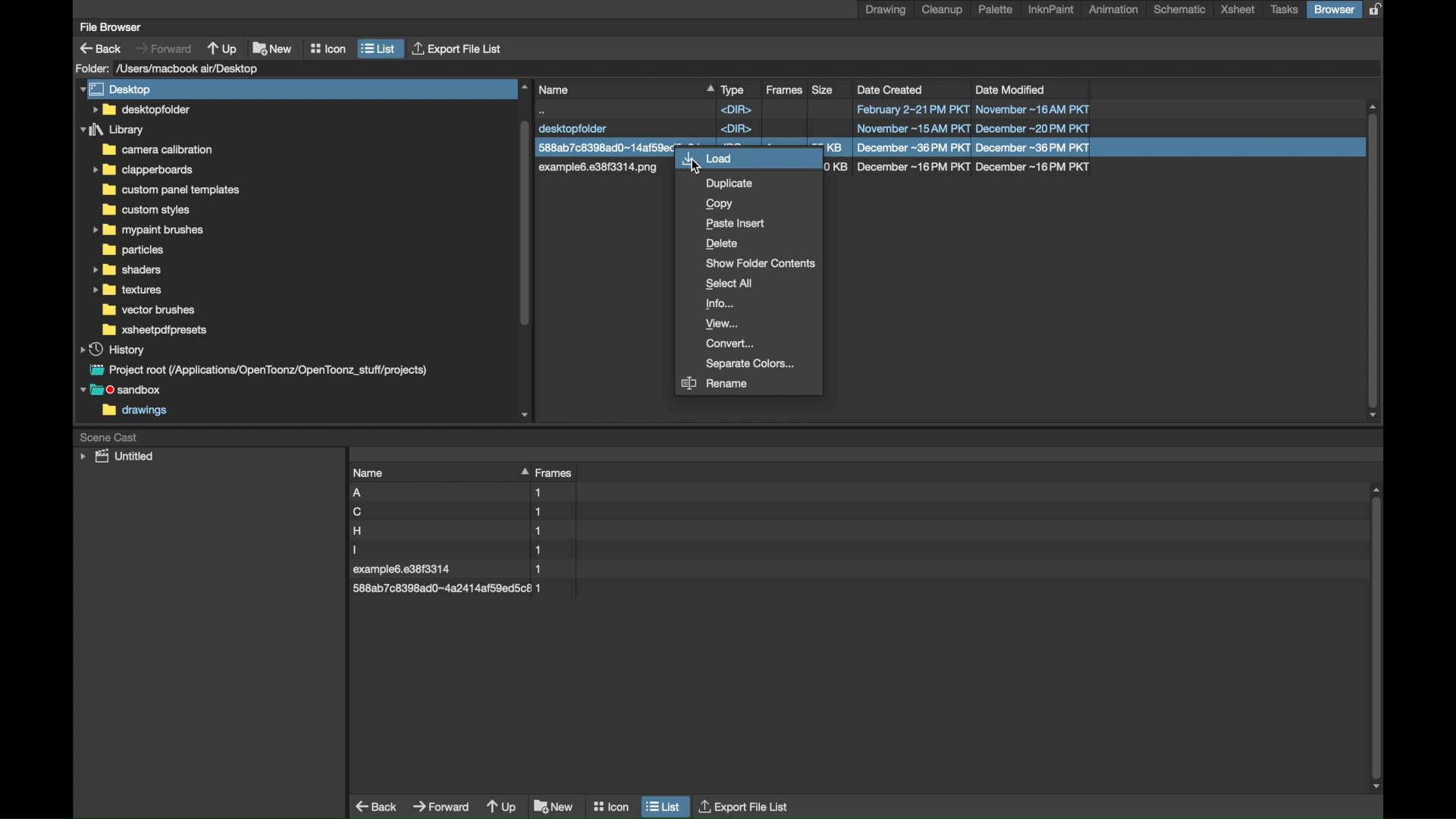 The image size is (1456, 819). Describe the element at coordinates (110, 27) in the screenshot. I see `file browser` at that location.